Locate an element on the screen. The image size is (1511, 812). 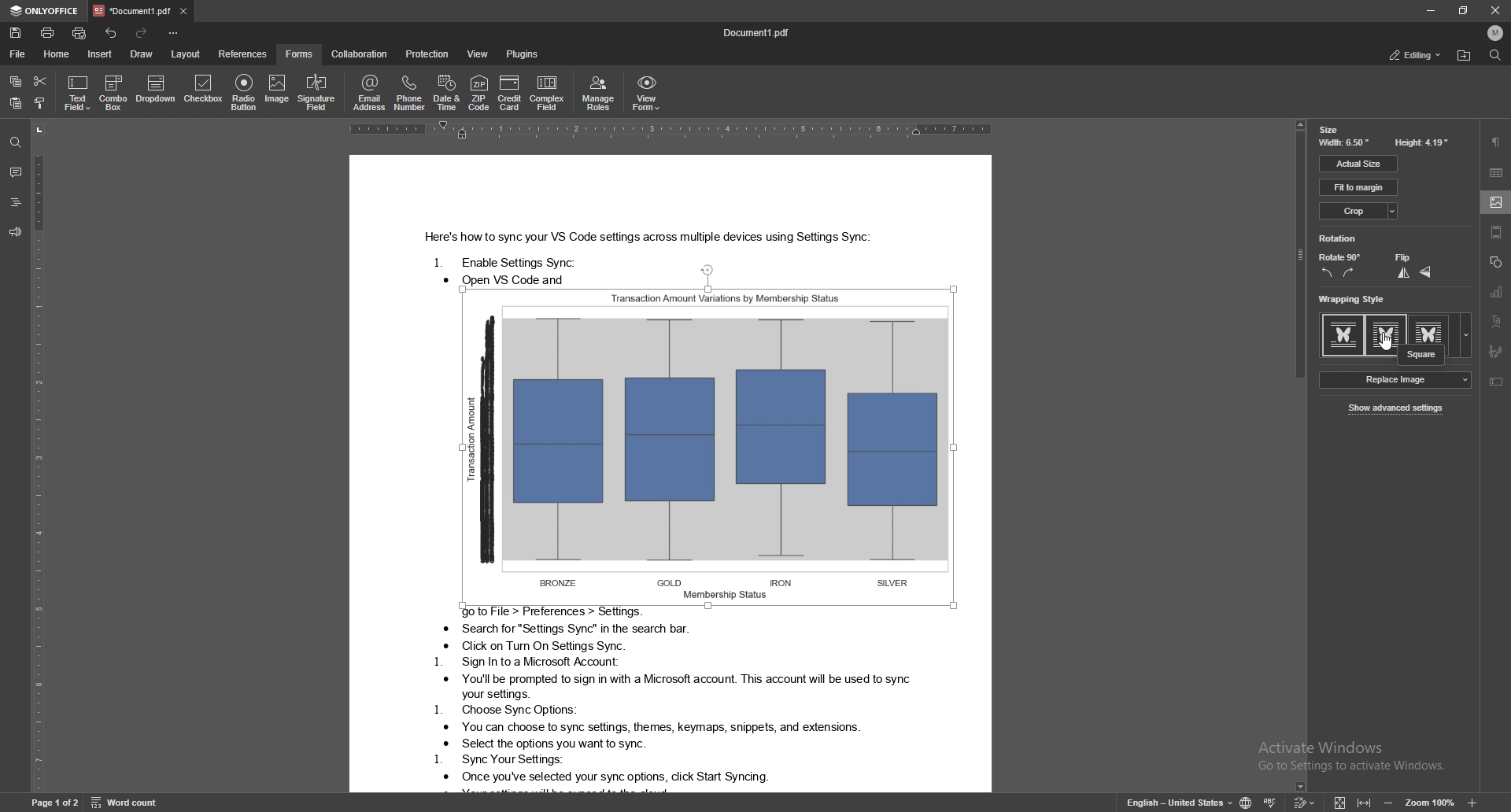
rotation is located at coordinates (1339, 239).